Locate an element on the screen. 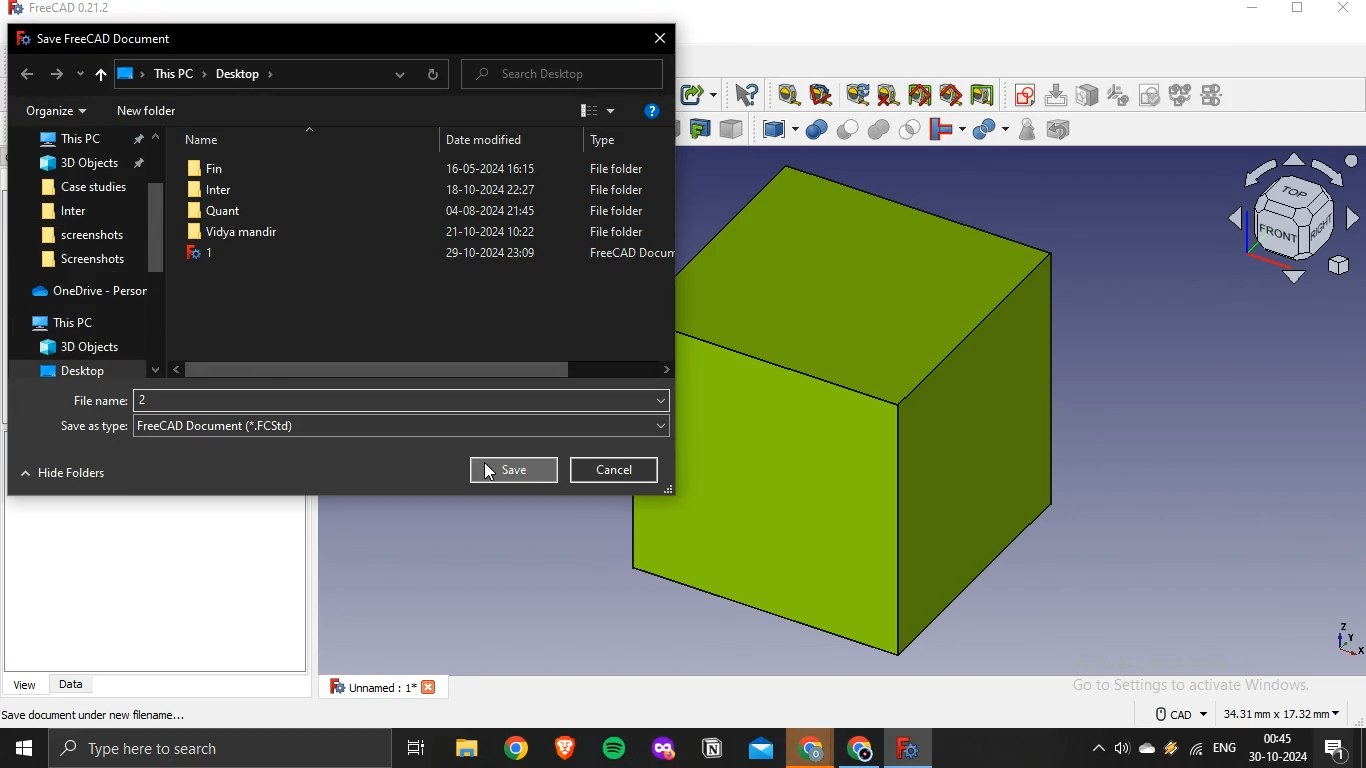 This screenshot has width=1366, height=768. time and date is located at coordinates (1277, 751).